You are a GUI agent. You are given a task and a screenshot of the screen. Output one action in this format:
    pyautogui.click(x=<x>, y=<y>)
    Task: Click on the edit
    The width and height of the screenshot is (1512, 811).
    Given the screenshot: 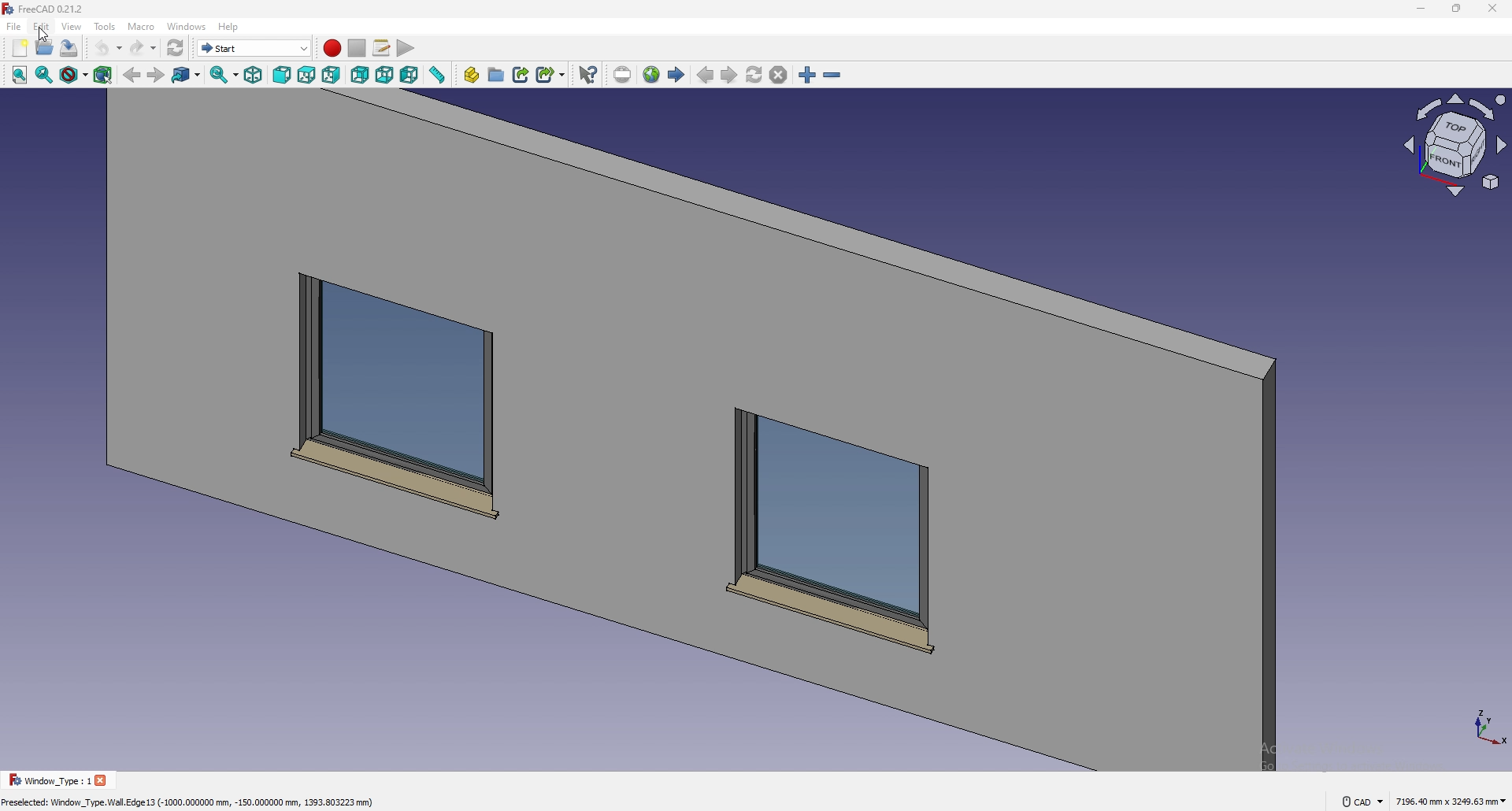 What is the action you would take?
    pyautogui.click(x=42, y=26)
    